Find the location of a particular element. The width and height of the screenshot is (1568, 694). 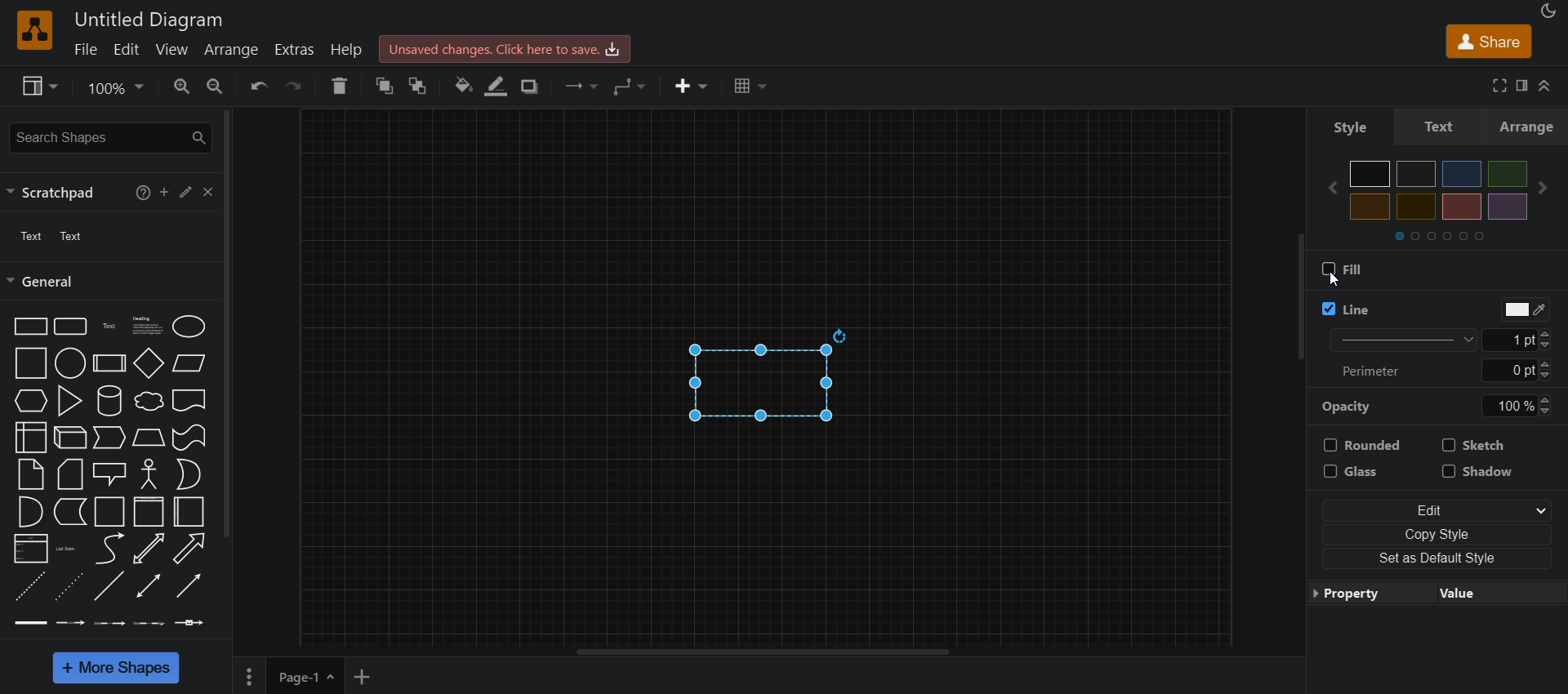

process is located at coordinates (111, 363).